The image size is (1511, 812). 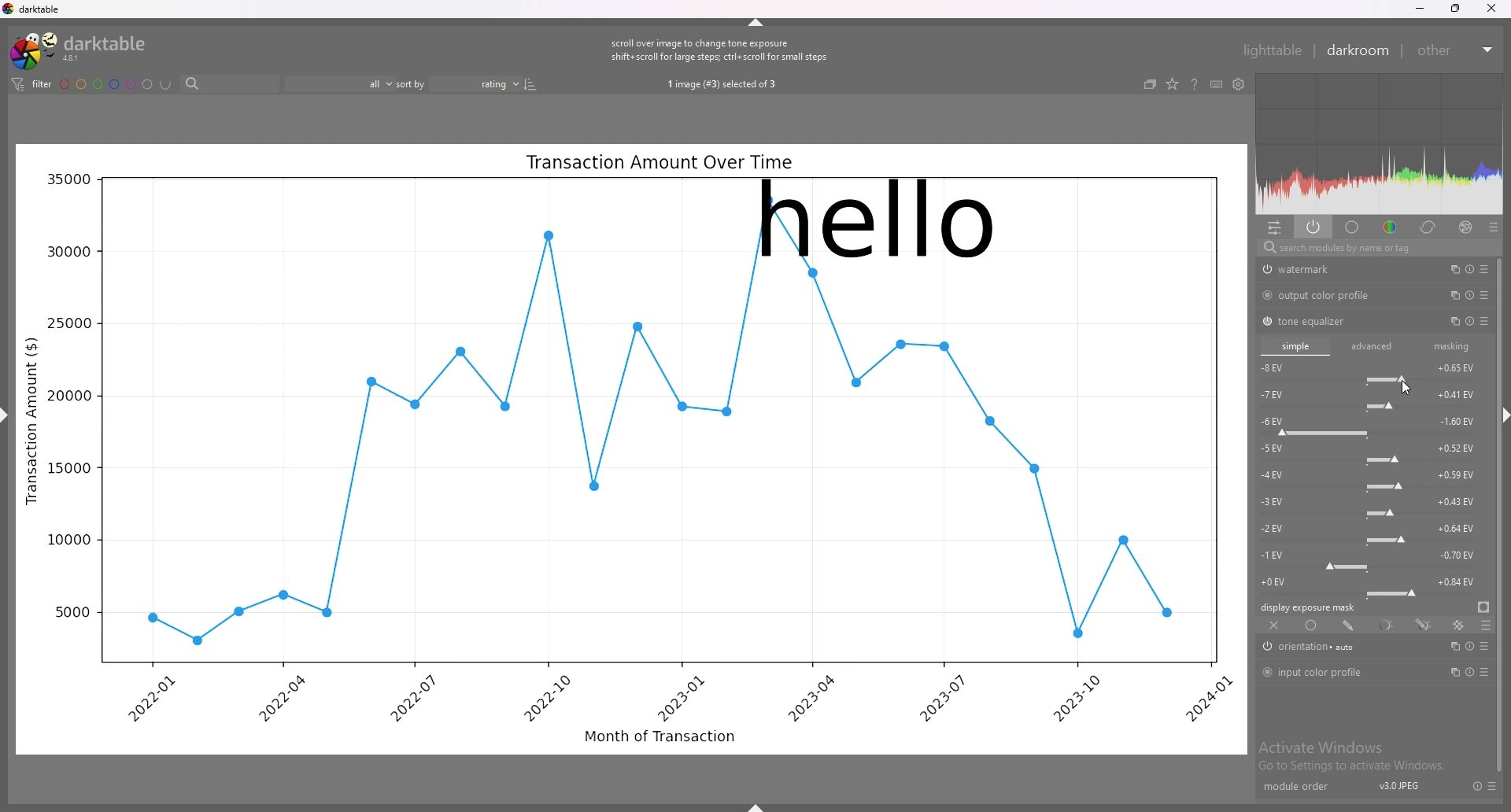 What do you see at coordinates (338, 85) in the screenshot?
I see `filter by images rating` at bounding box center [338, 85].